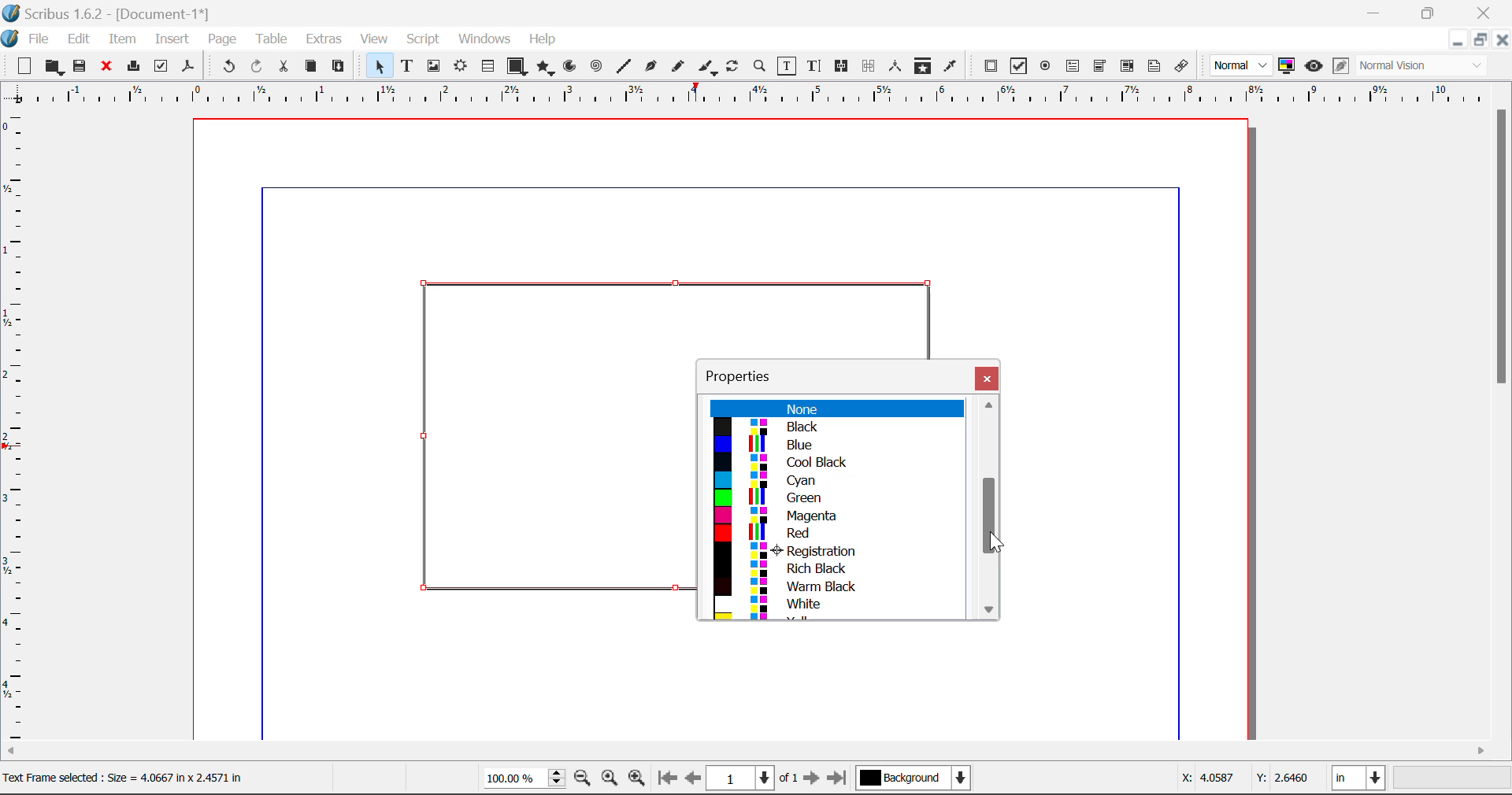 This screenshot has width=1512, height=795. I want to click on Pdf Listbox, so click(1125, 66).